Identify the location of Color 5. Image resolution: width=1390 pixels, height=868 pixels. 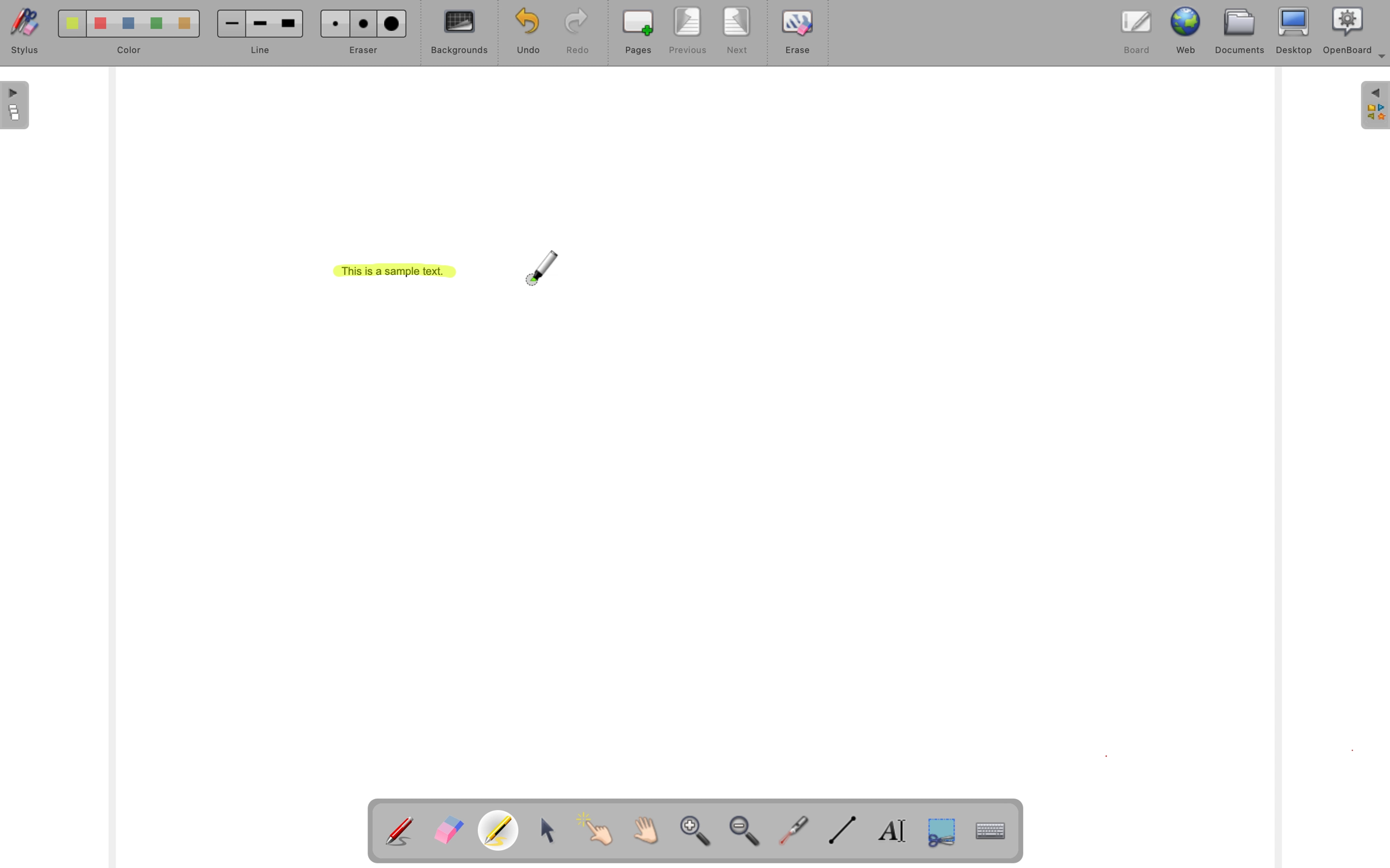
(185, 24).